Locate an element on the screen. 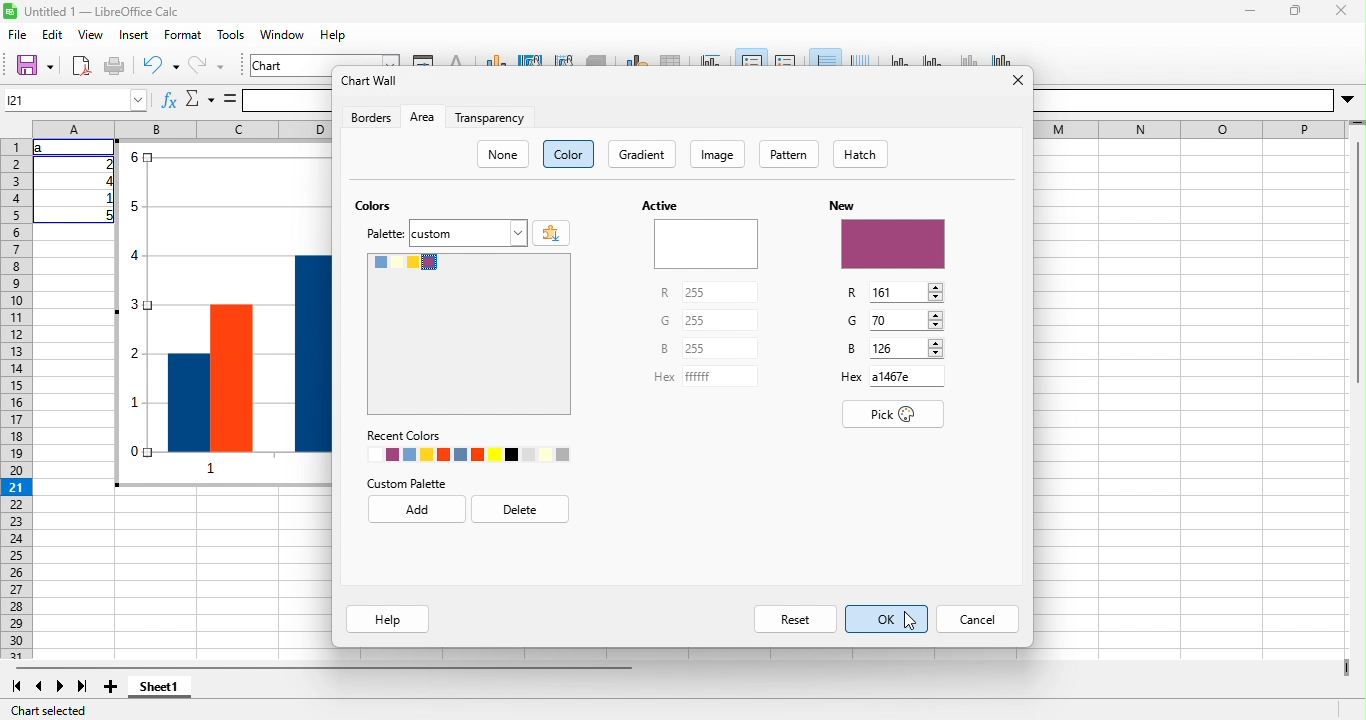 The image size is (1366, 720). title is located at coordinates (712, 59).